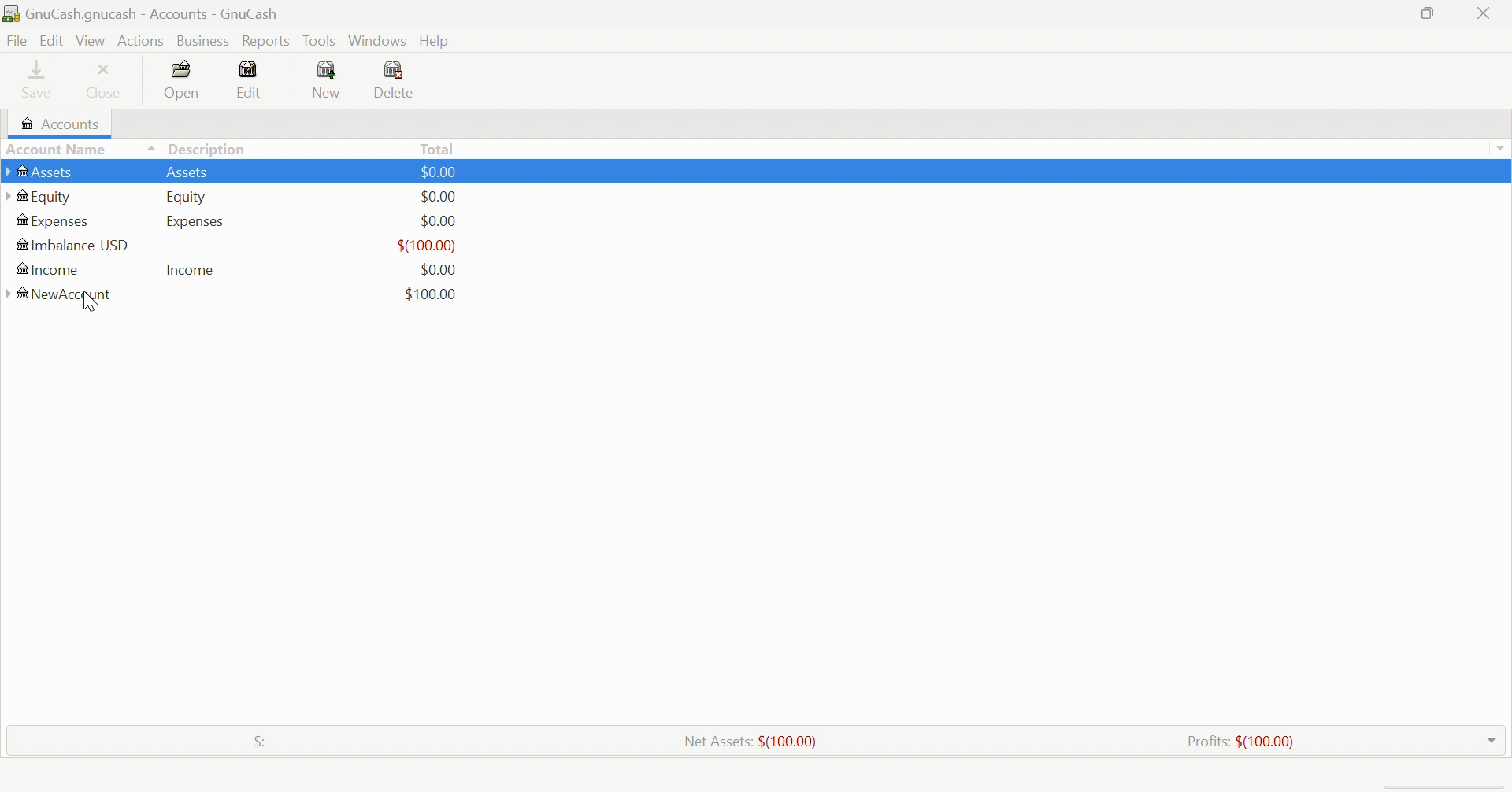 The image size is (1512, 792). I want to click on Assets, so click(39, 172).